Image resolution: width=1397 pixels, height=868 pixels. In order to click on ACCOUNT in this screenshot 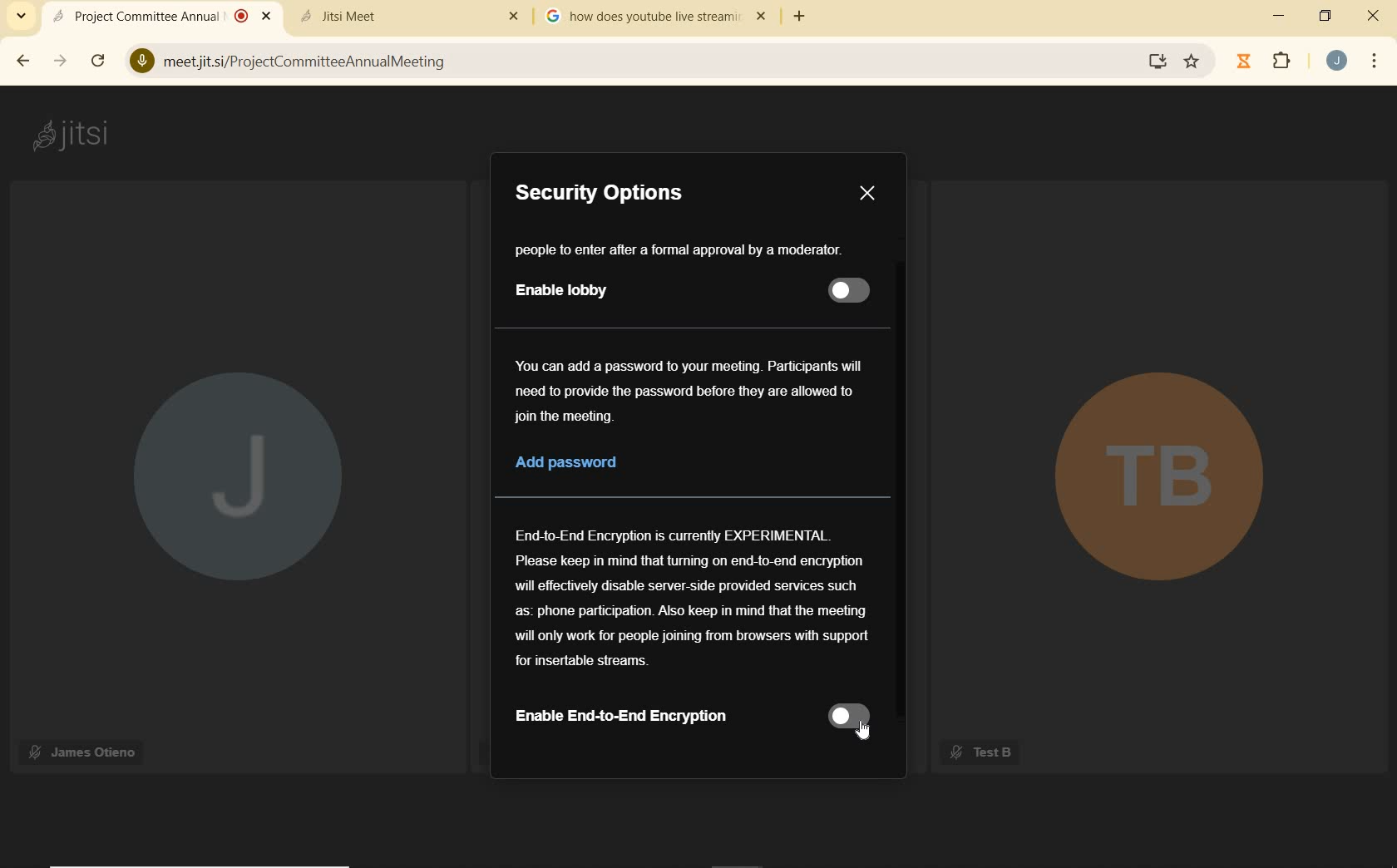, I will do `click(1336, 60)`.